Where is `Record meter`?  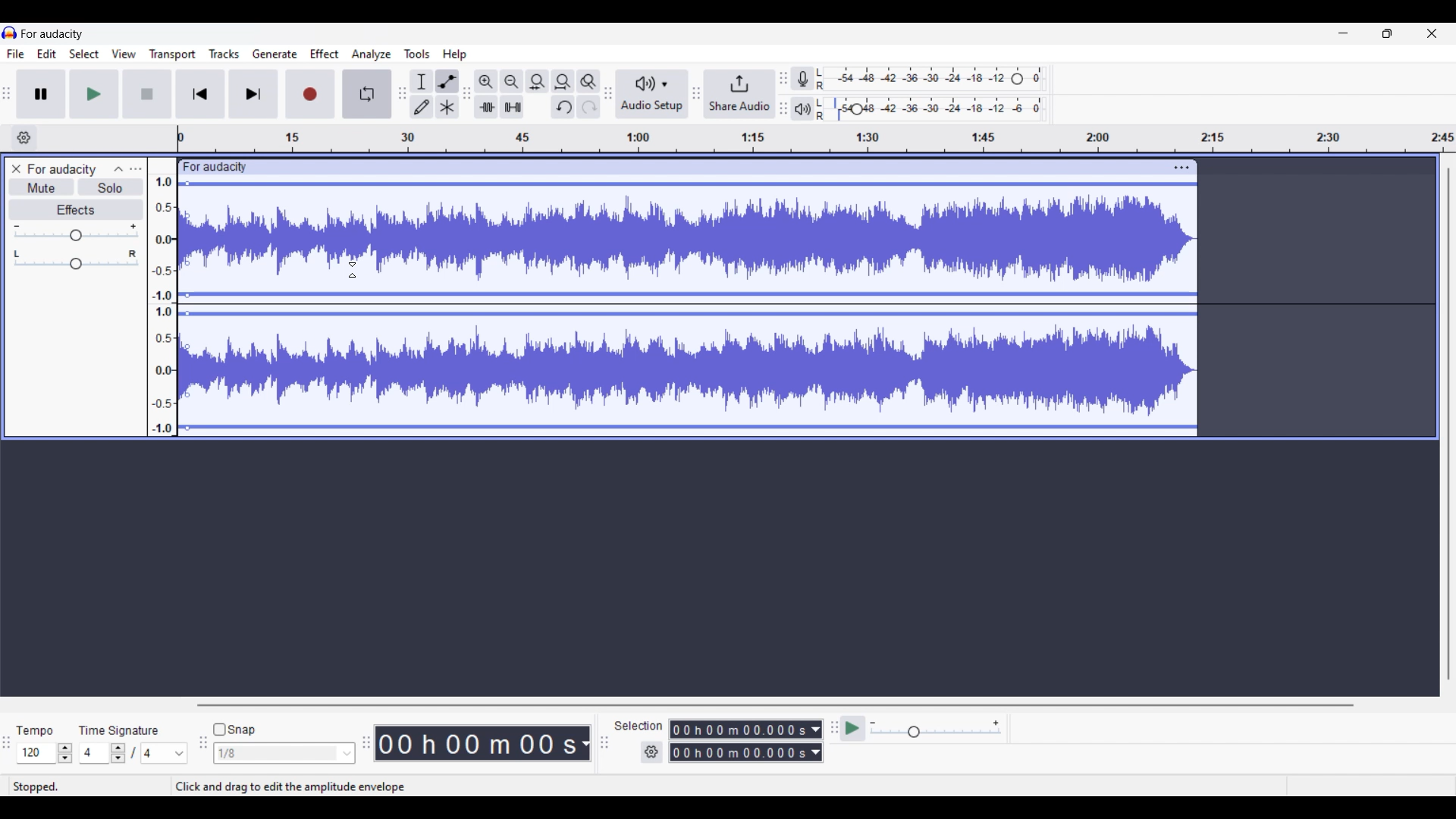 Record meter is located at coordinates (802, 78).